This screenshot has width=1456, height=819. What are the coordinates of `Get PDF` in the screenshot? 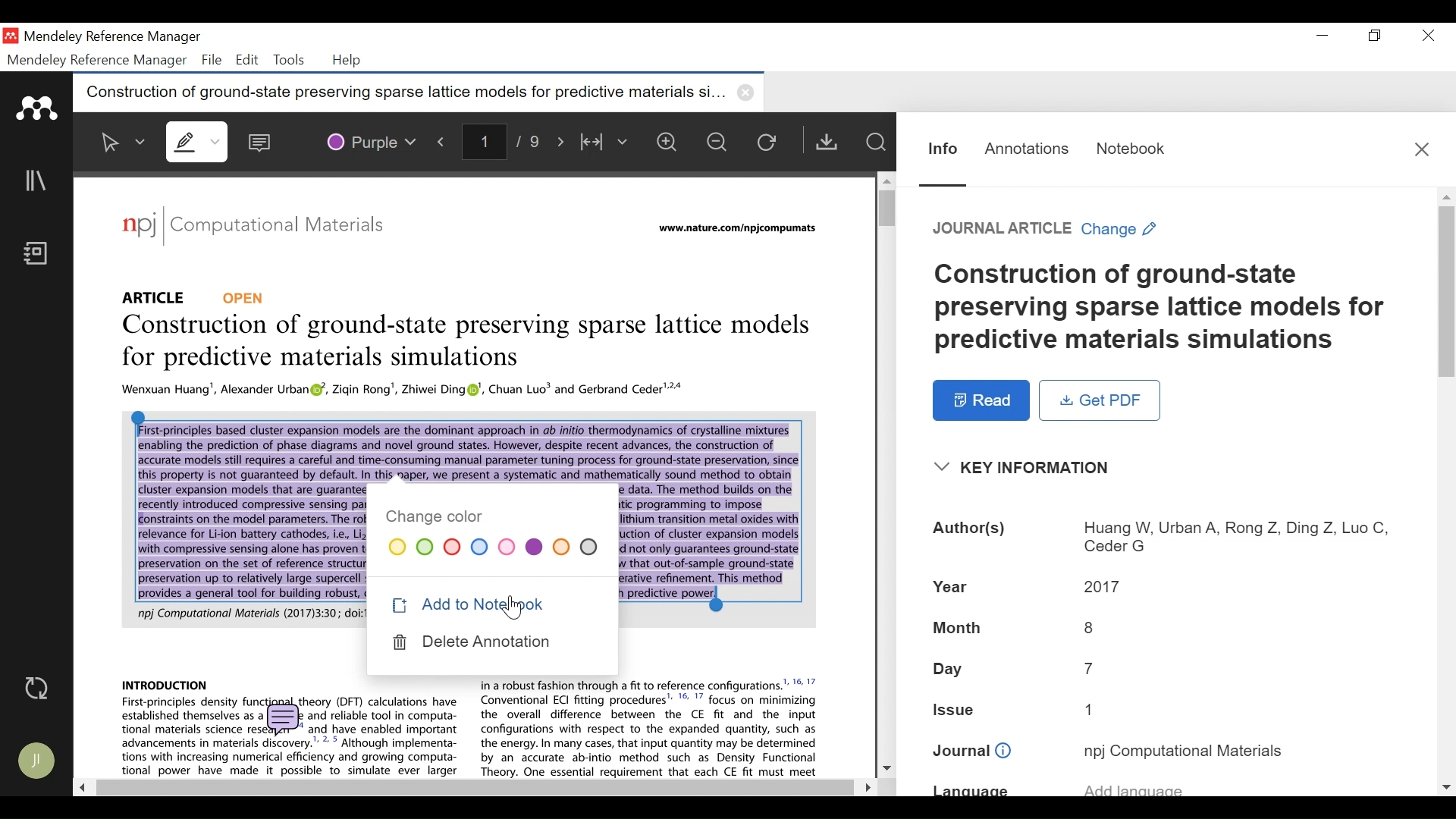 It's located at (826, 141).